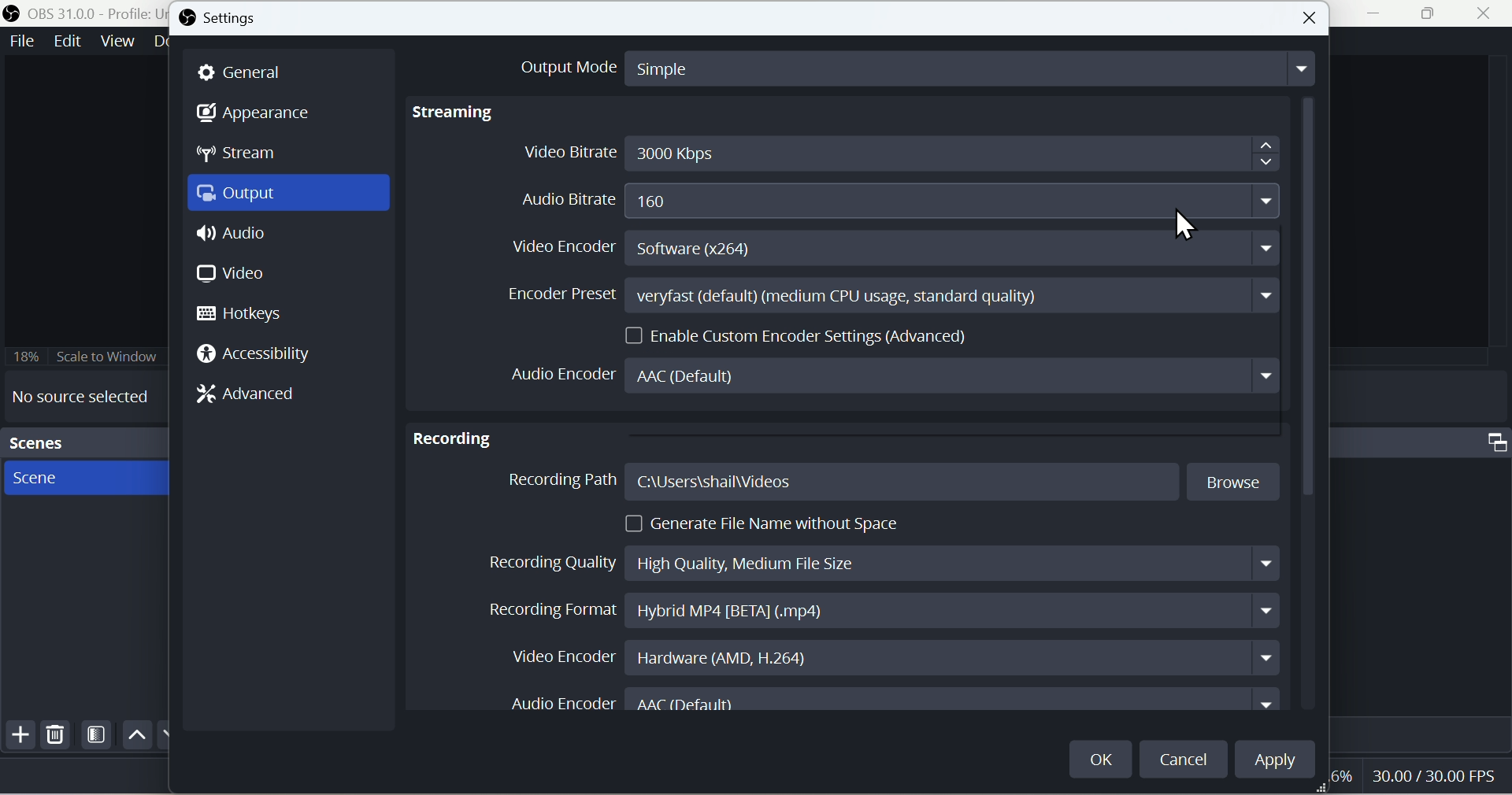 The image size is (1512, 795). What do you see at coordinates (1311, 18) in the screenshot?
I see `` at bounding box center [1311, 18].